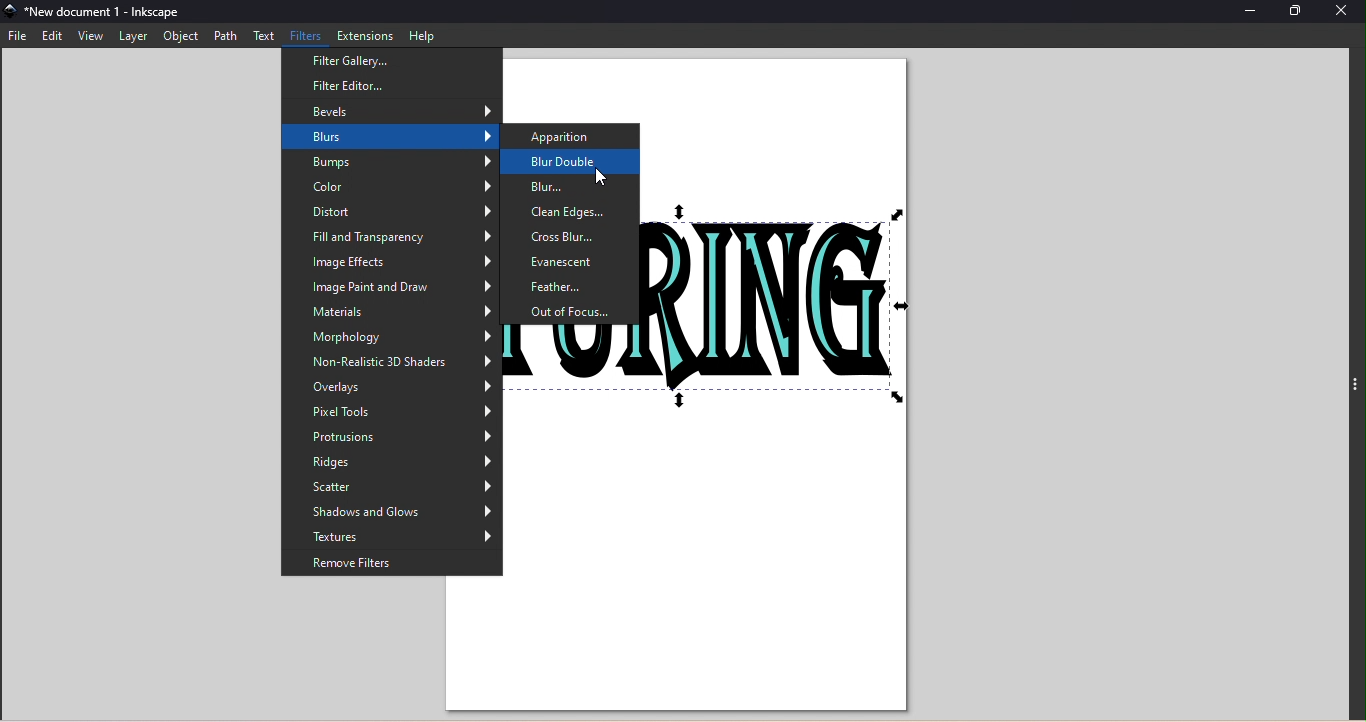 The width and height of the screenshot is (1366, 722). What do you see at coordinates (572, 162) in the screenshot?
I see `Blur double` at bounding box center [572, 162].